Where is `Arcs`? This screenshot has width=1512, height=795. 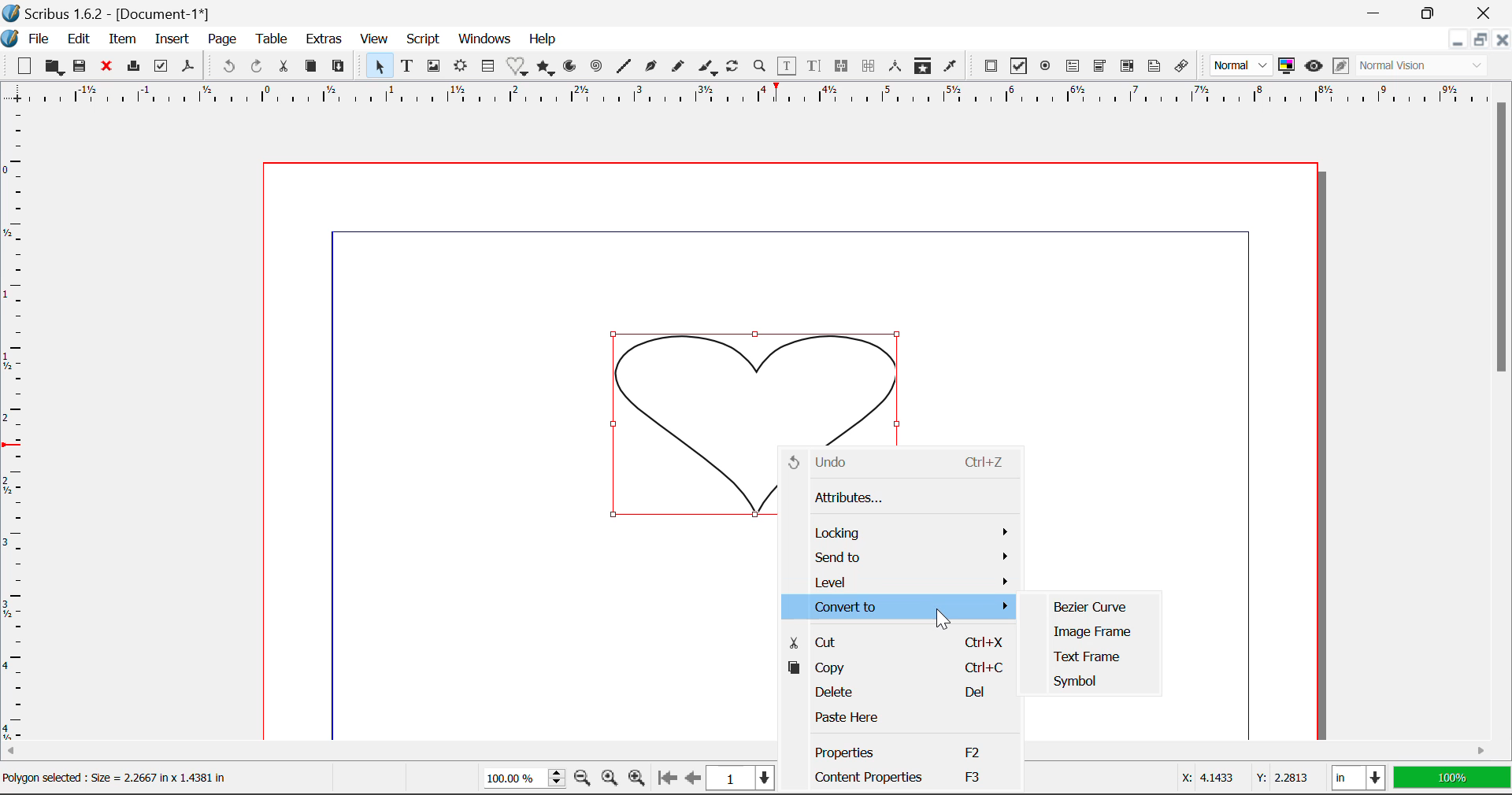
Arcs is located at coordinates (569, 66).